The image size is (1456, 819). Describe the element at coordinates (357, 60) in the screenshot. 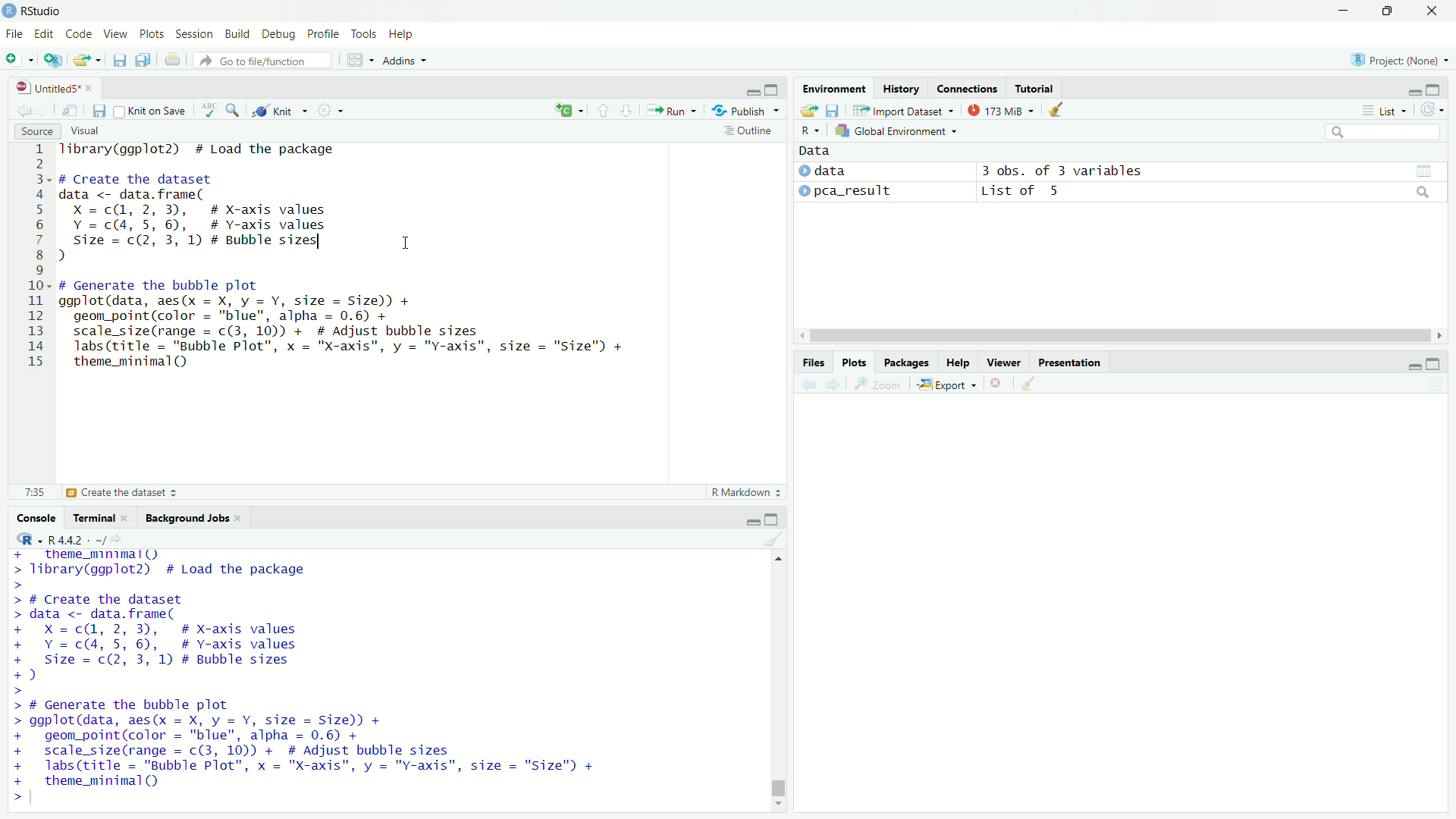

I see `workspace panes` at that location.